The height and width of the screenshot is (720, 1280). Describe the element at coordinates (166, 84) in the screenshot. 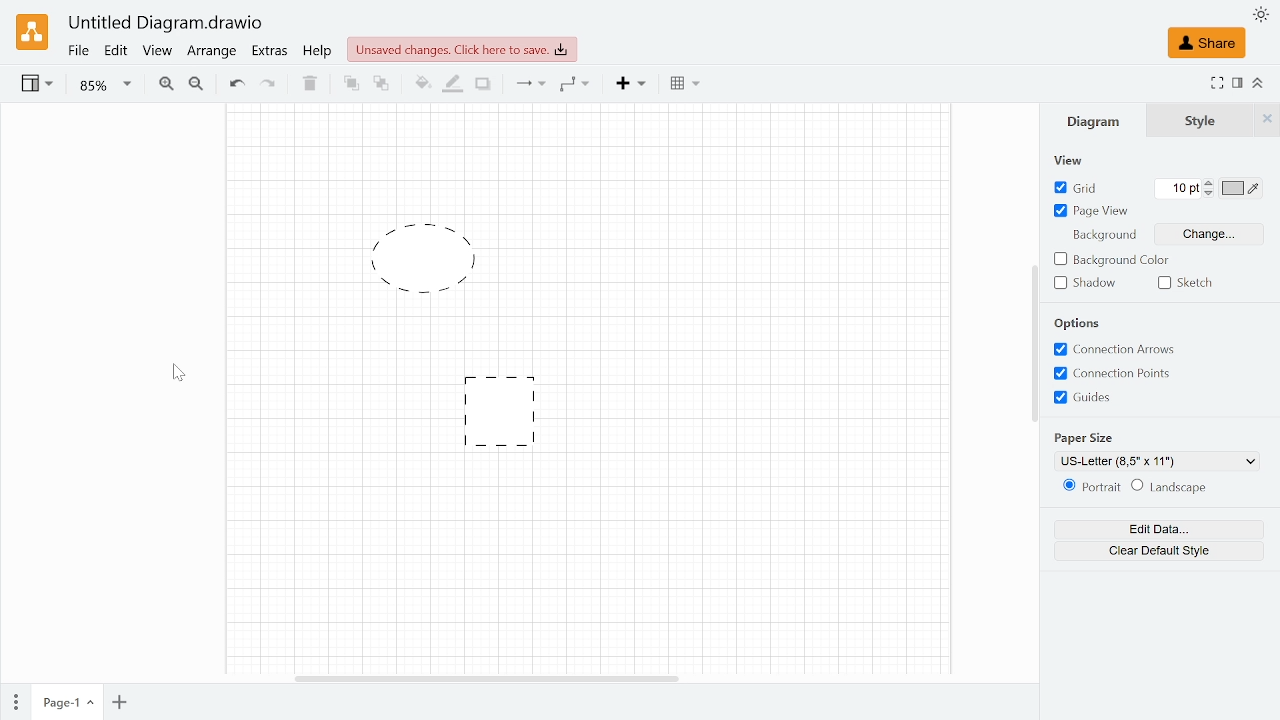

I see `Zoom in` at that location.